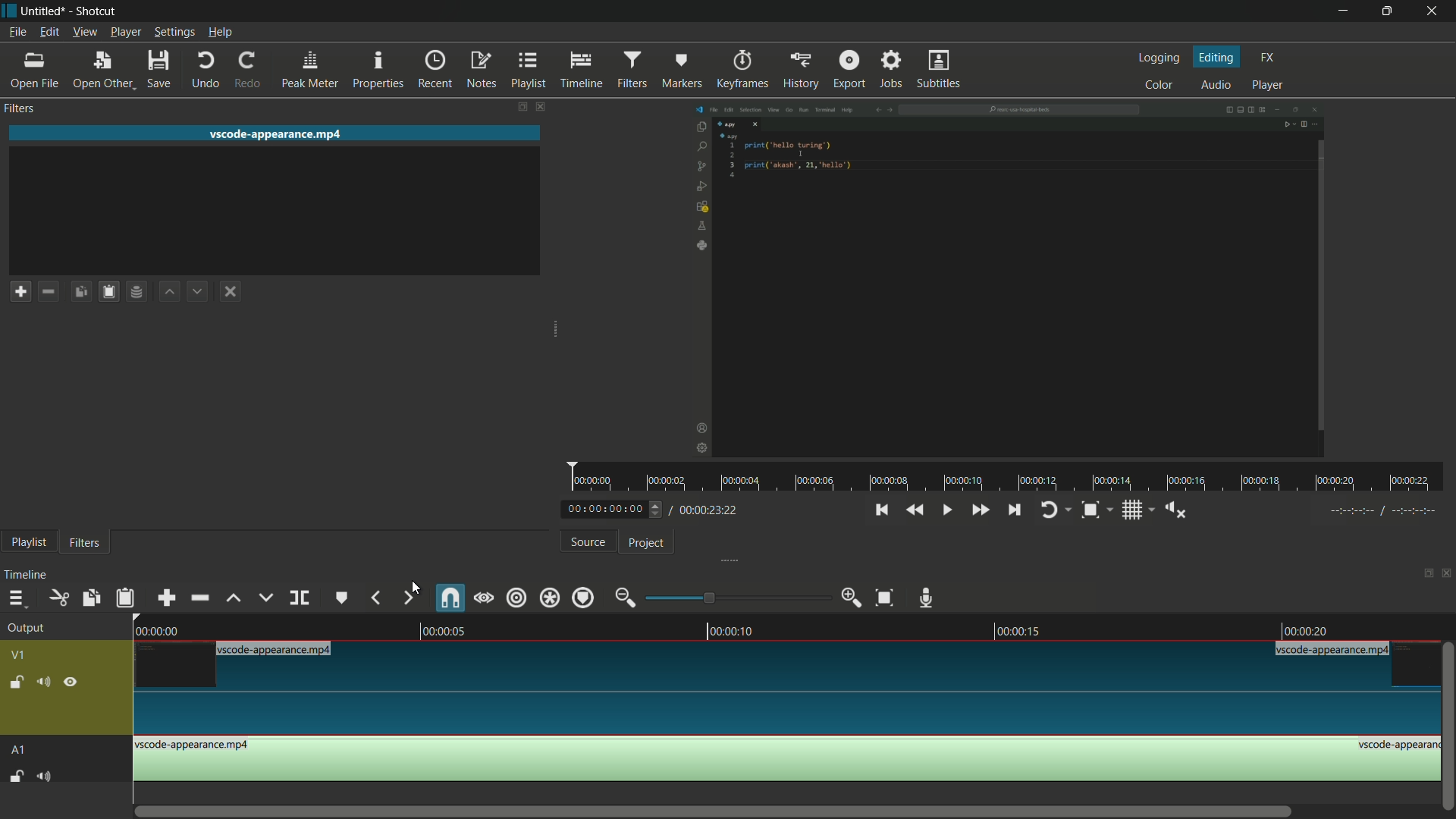  What do you see at coordinates (1433, 11) in the screenshot?
I see `close app` at bounding box center [1433, 11].